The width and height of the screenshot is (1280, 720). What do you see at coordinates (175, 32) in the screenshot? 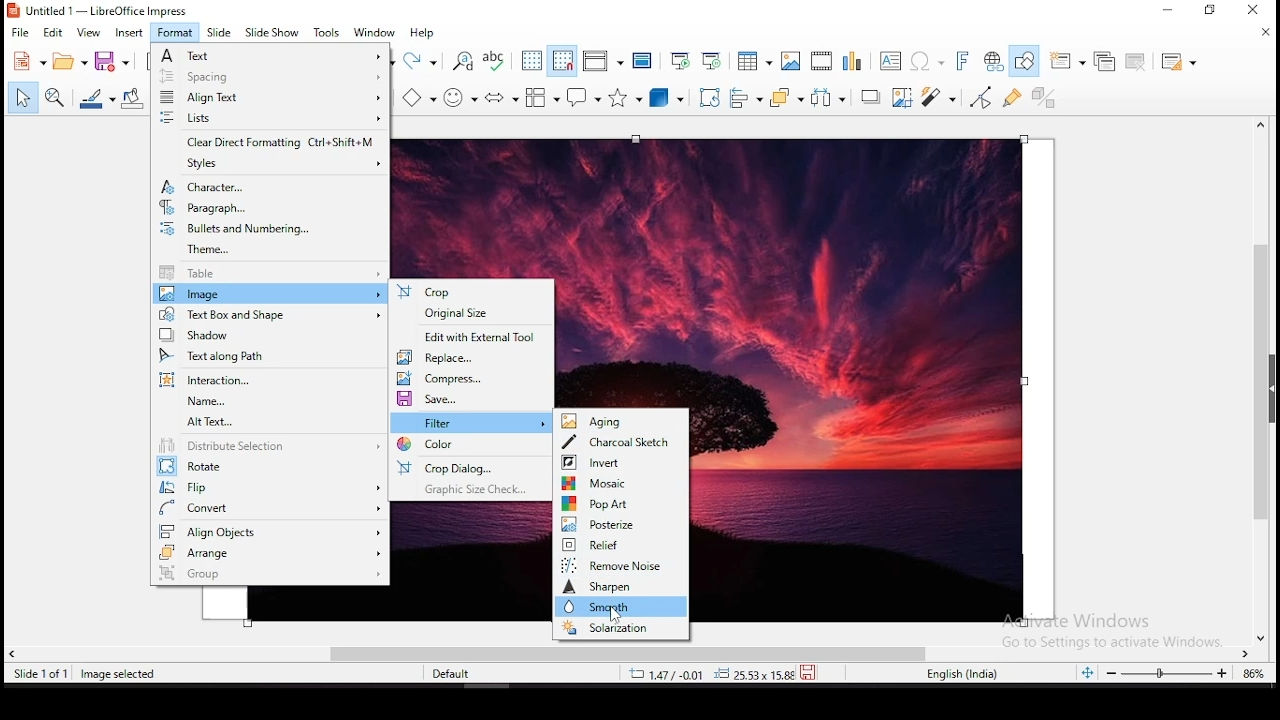
I see `format` at bounding box center [175, 32].